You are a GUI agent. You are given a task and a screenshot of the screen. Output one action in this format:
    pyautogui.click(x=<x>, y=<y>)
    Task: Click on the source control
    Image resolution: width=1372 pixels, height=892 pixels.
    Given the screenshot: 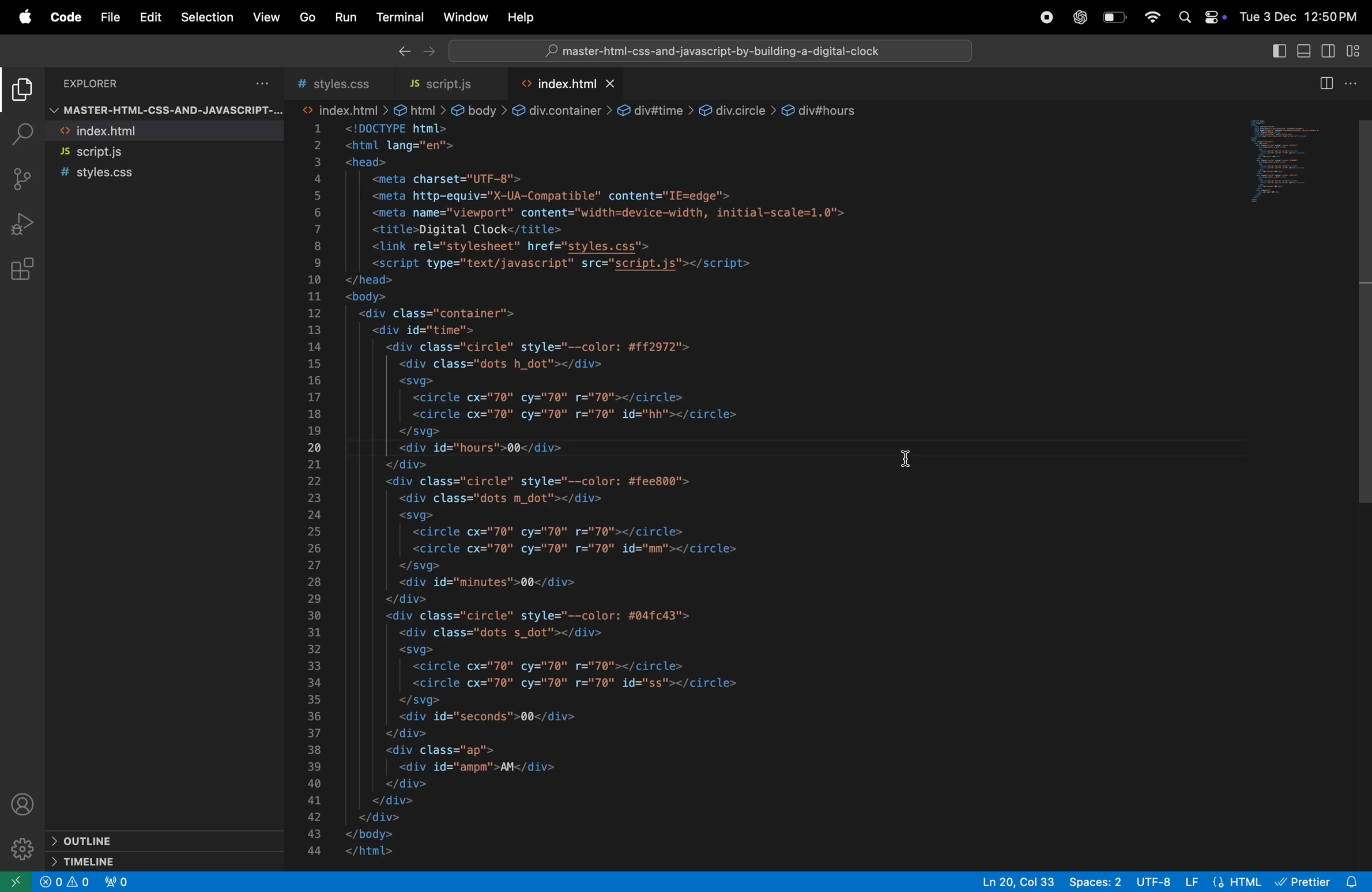 What is the action you would take?
    pyautogui.click(x=24, y=181)
    